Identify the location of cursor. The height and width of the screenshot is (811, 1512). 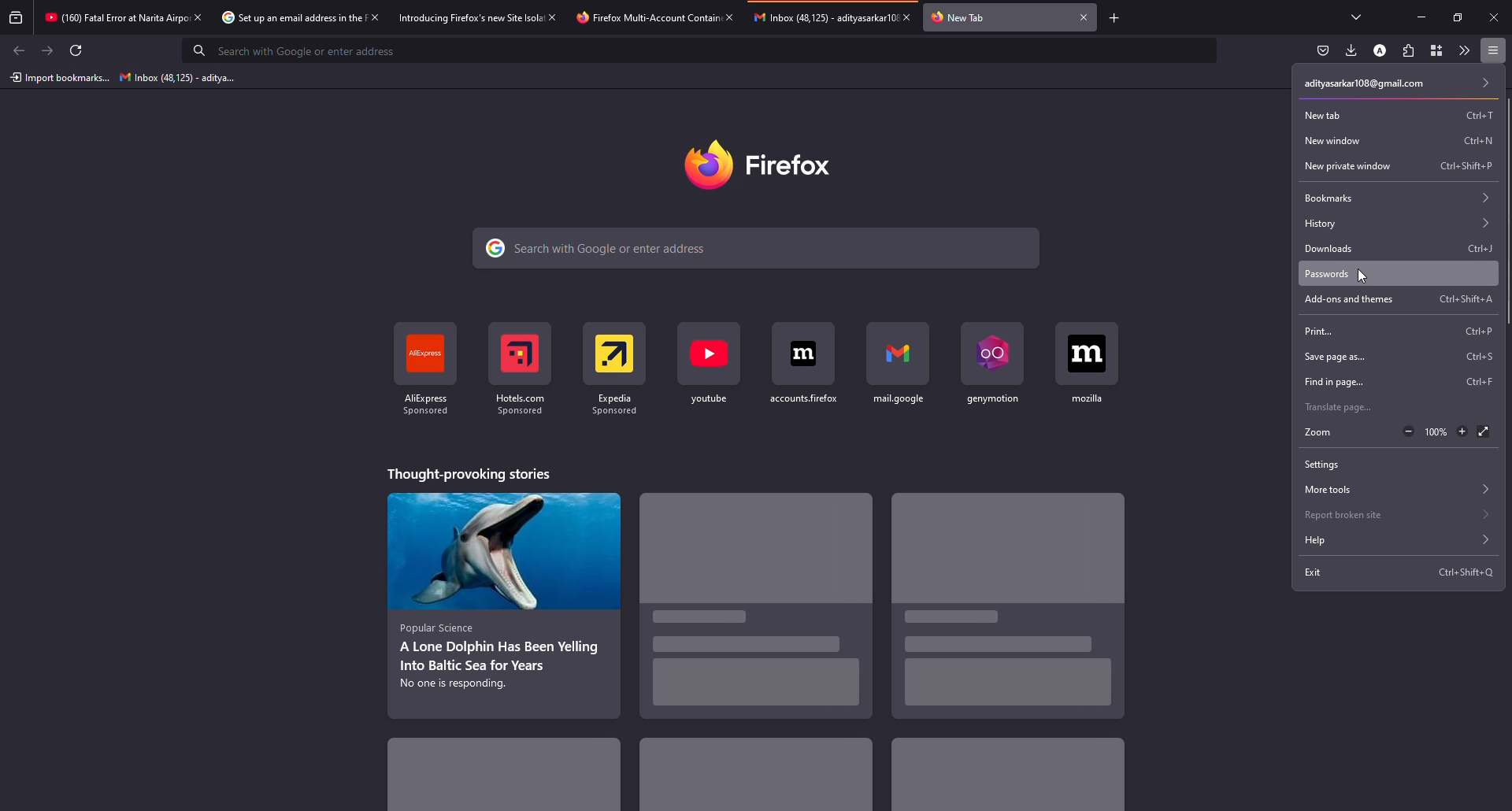
(1366, 276).